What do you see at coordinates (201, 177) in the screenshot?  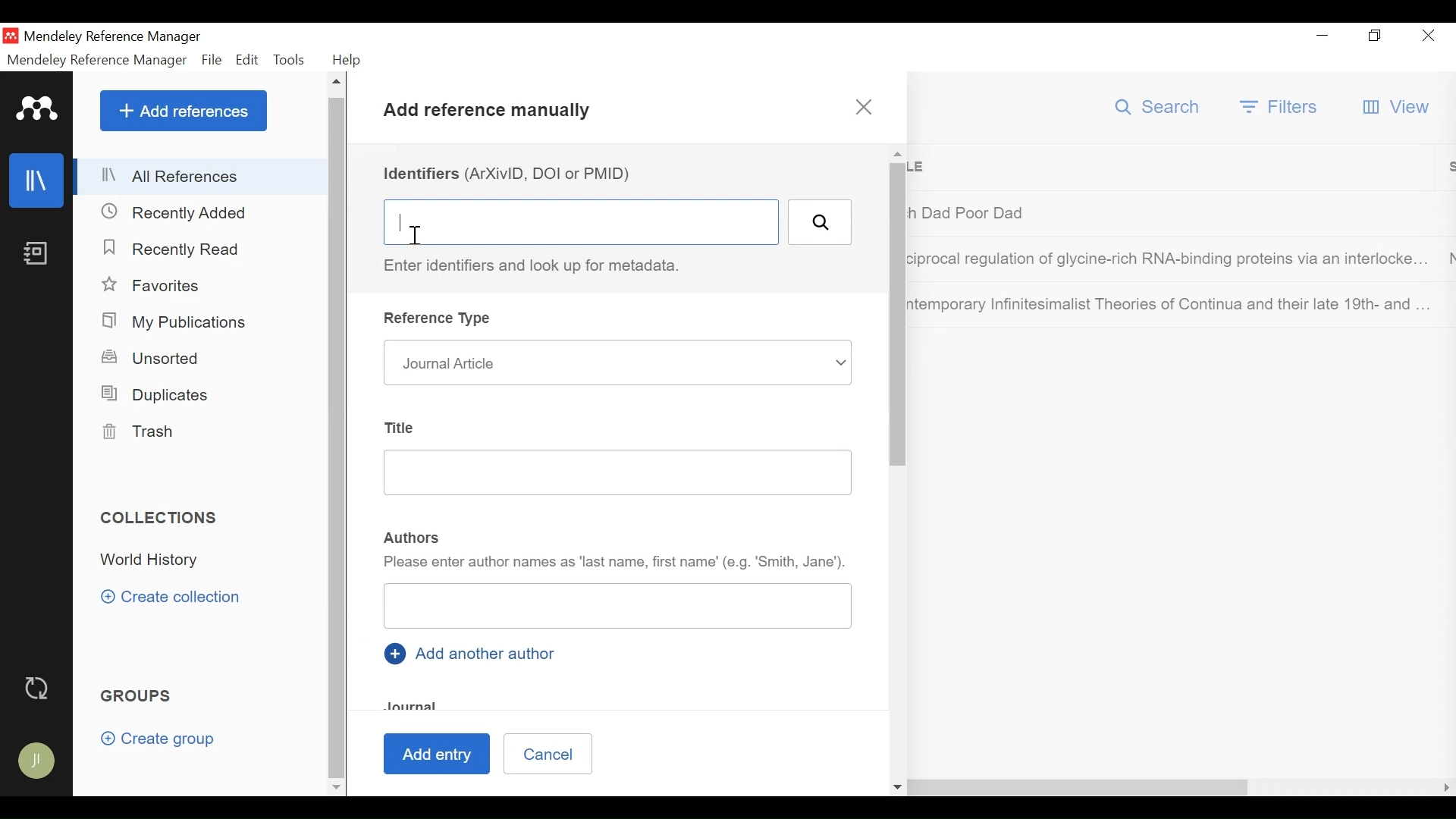 I see `All References` at bounding box center [201, 177].